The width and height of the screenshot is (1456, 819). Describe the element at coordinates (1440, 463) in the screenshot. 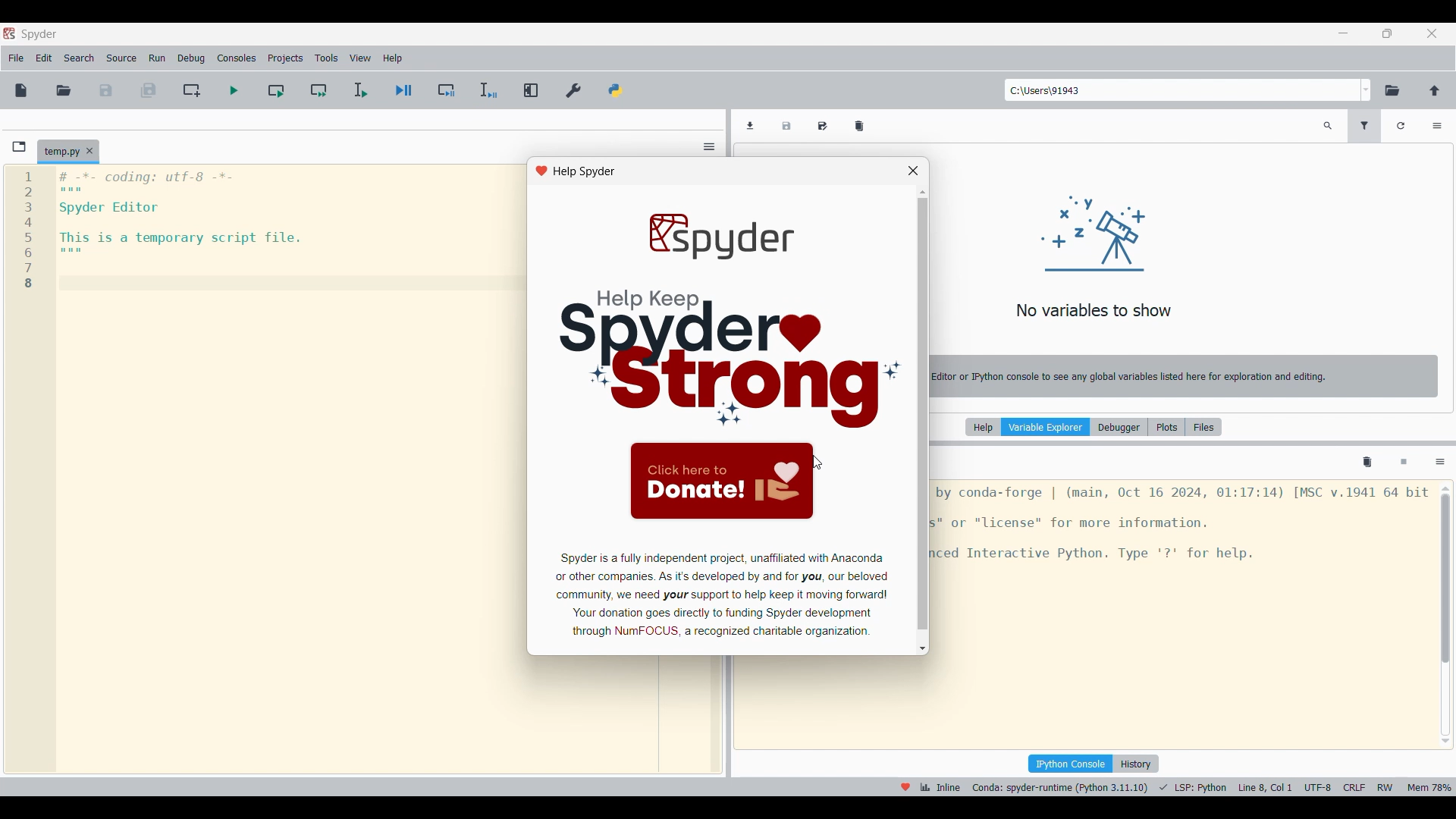

I see `Options` at that location.